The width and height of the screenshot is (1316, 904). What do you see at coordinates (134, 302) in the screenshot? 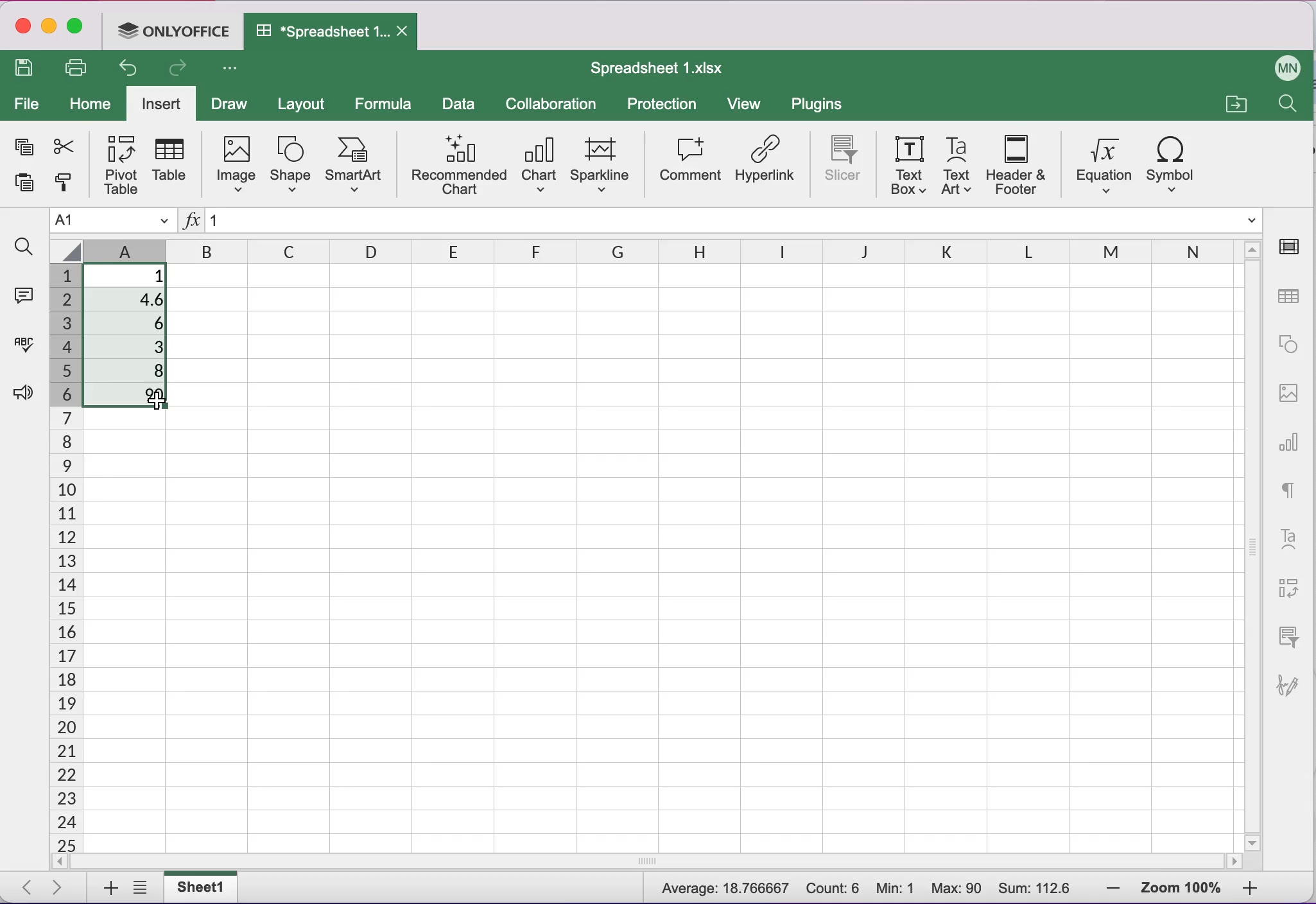
I see `4.6` at bounding box center [134, 302].